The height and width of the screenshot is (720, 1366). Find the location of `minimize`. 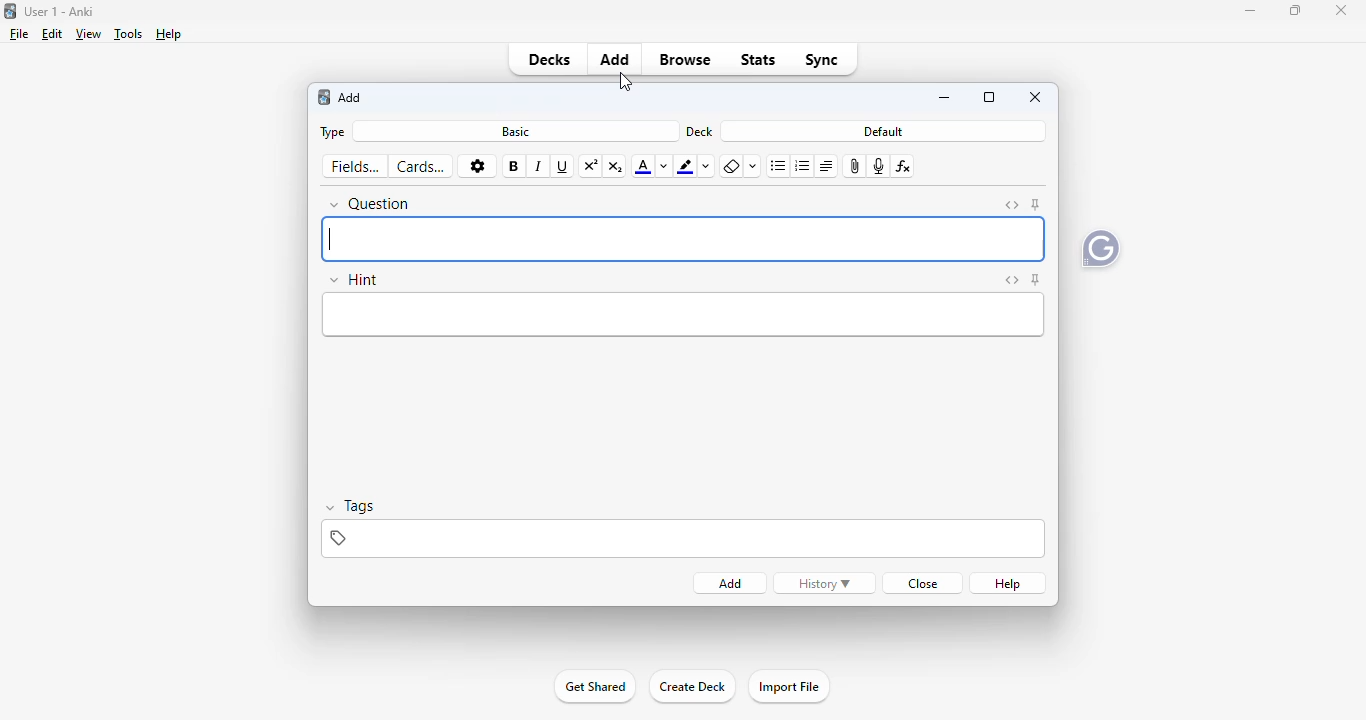

minimize is located at coordinates (947, 98).